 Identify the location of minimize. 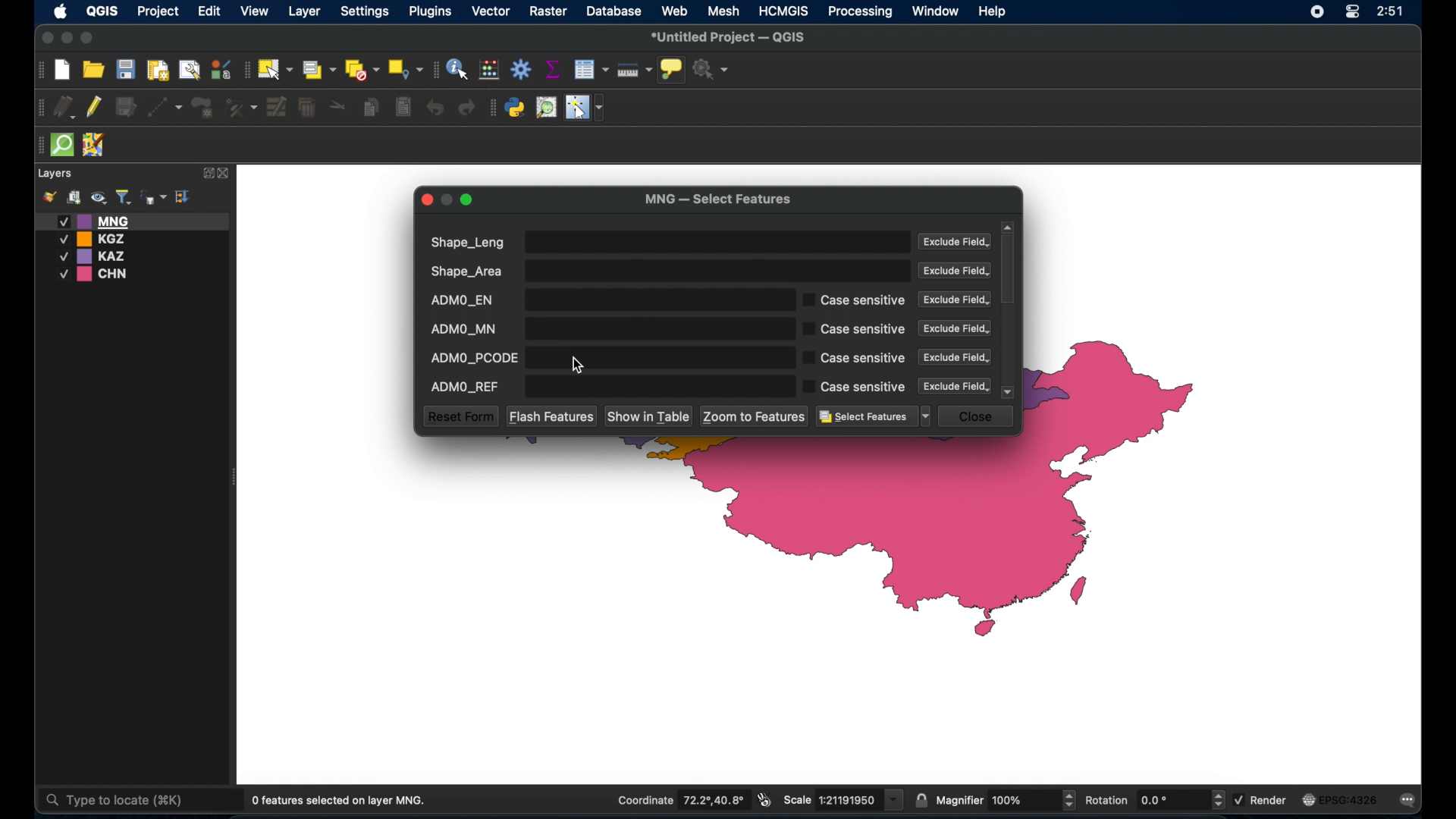
(68, 39).